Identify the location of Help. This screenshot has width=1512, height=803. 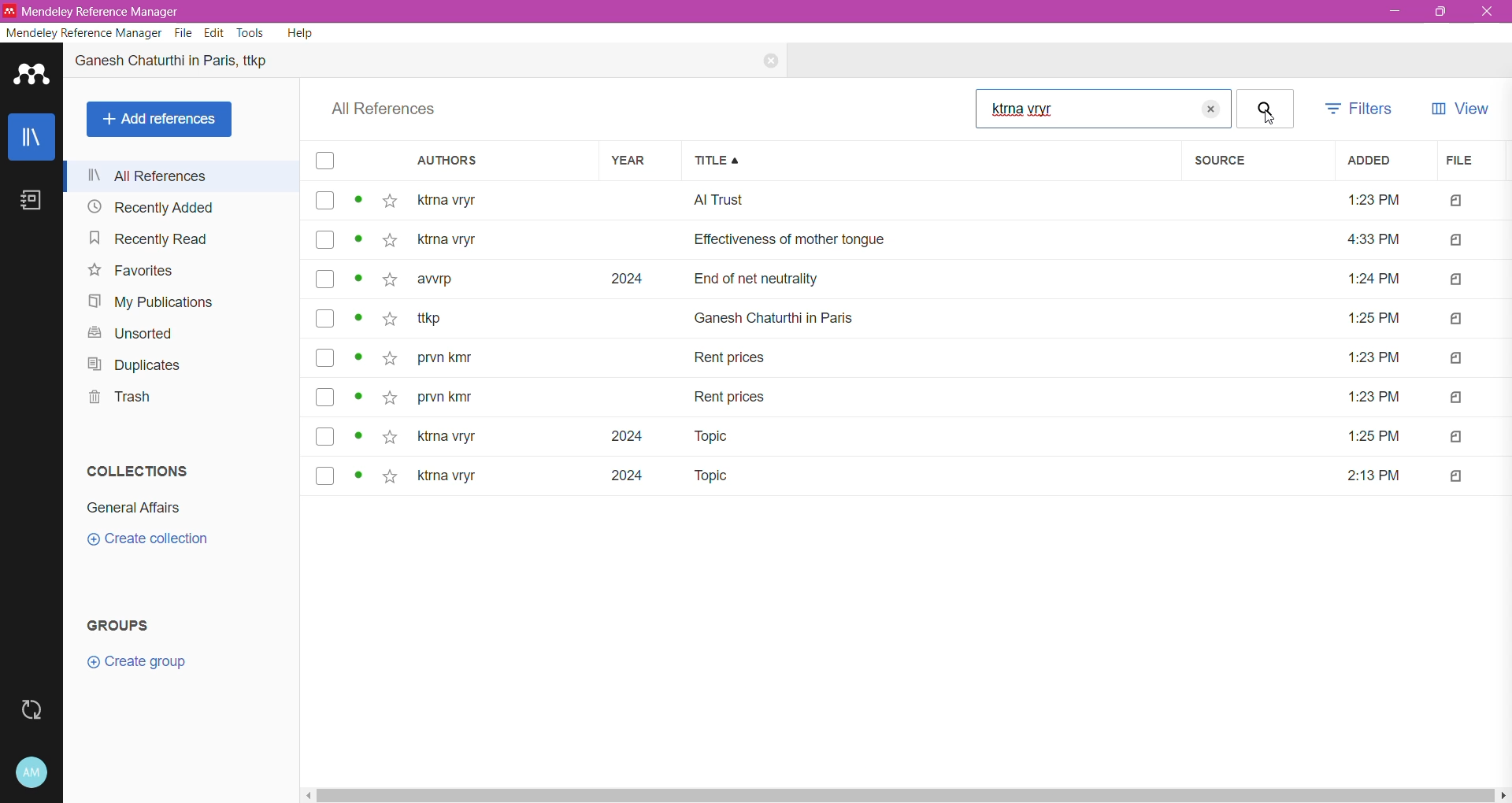
(299, 33).